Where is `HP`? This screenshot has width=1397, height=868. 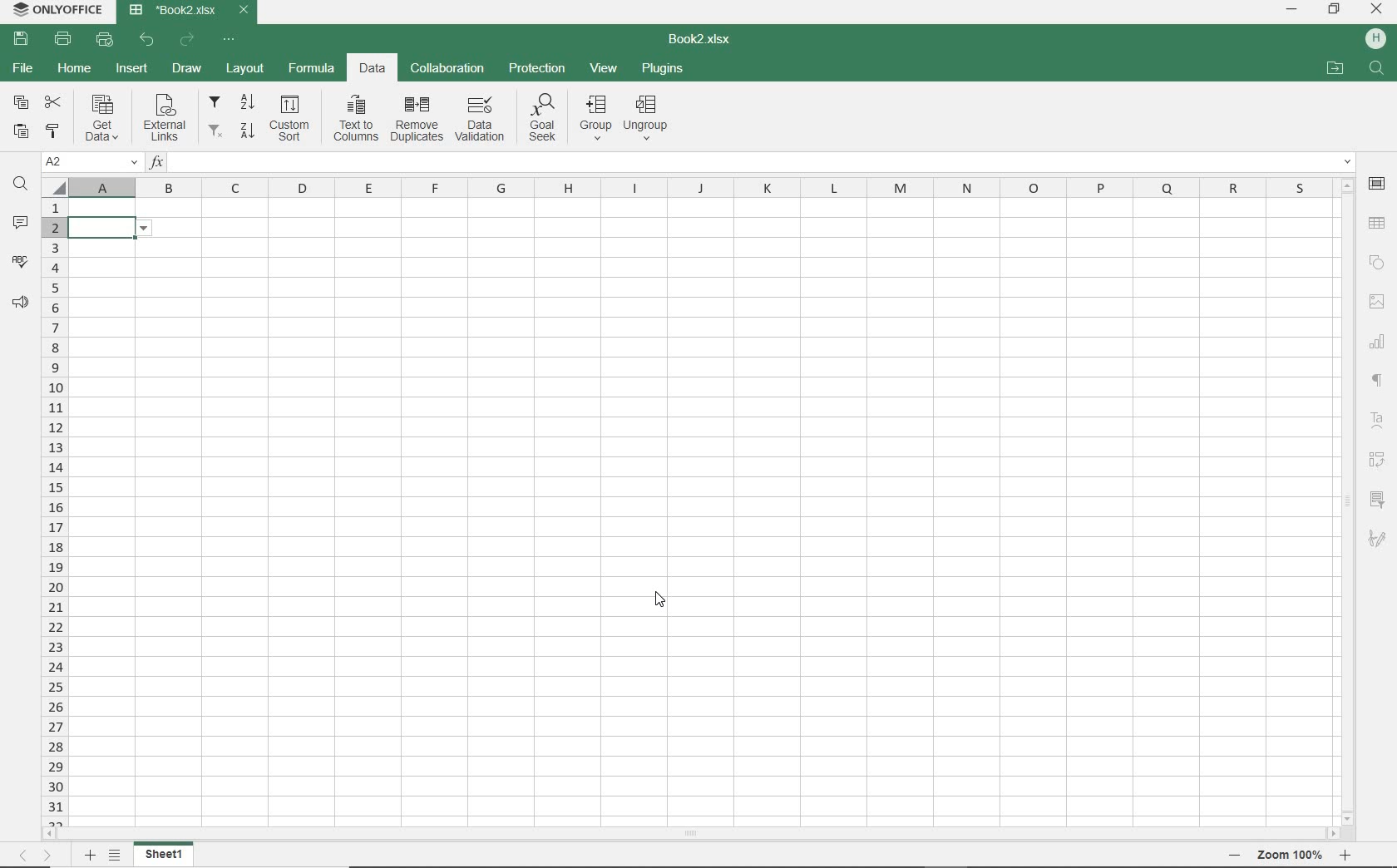 HP is located at coordinates (1376, 40).